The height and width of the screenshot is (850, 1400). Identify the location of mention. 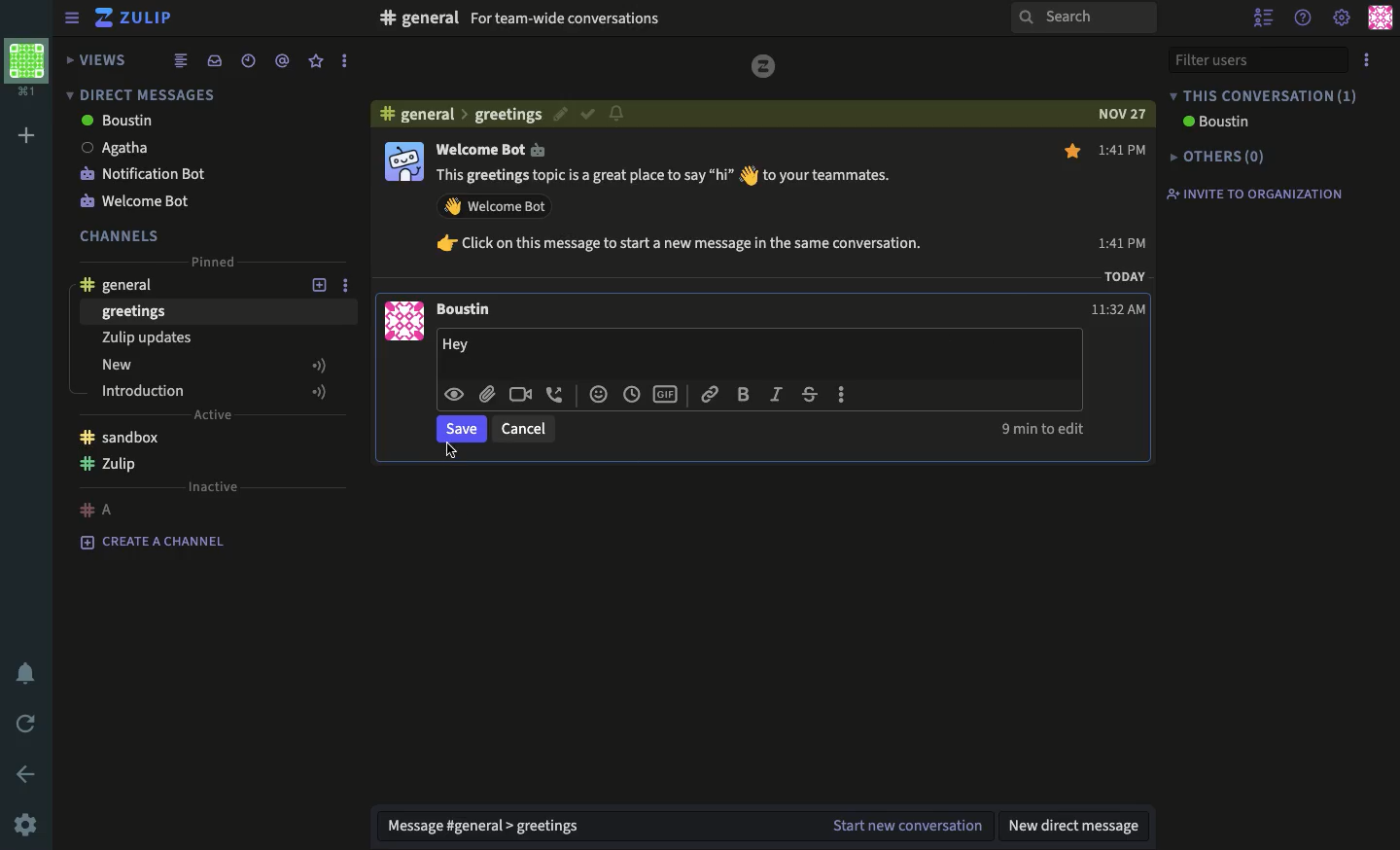
(283, 60).